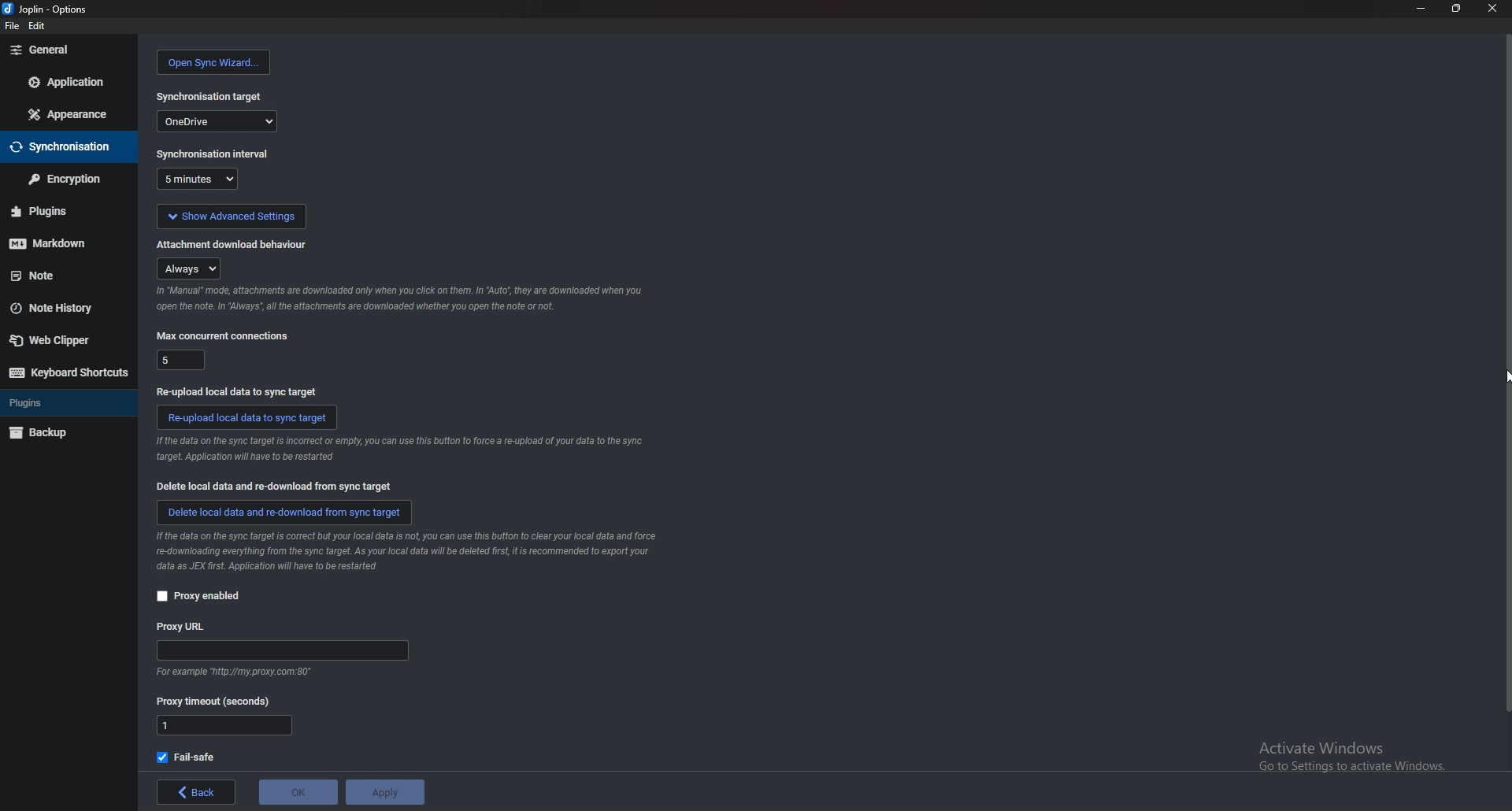 This screenshot has width=1512, height=811. What do you see at coordinates (236, 672) in the screenshot?
I see `info` at bounding box center [236, 672].